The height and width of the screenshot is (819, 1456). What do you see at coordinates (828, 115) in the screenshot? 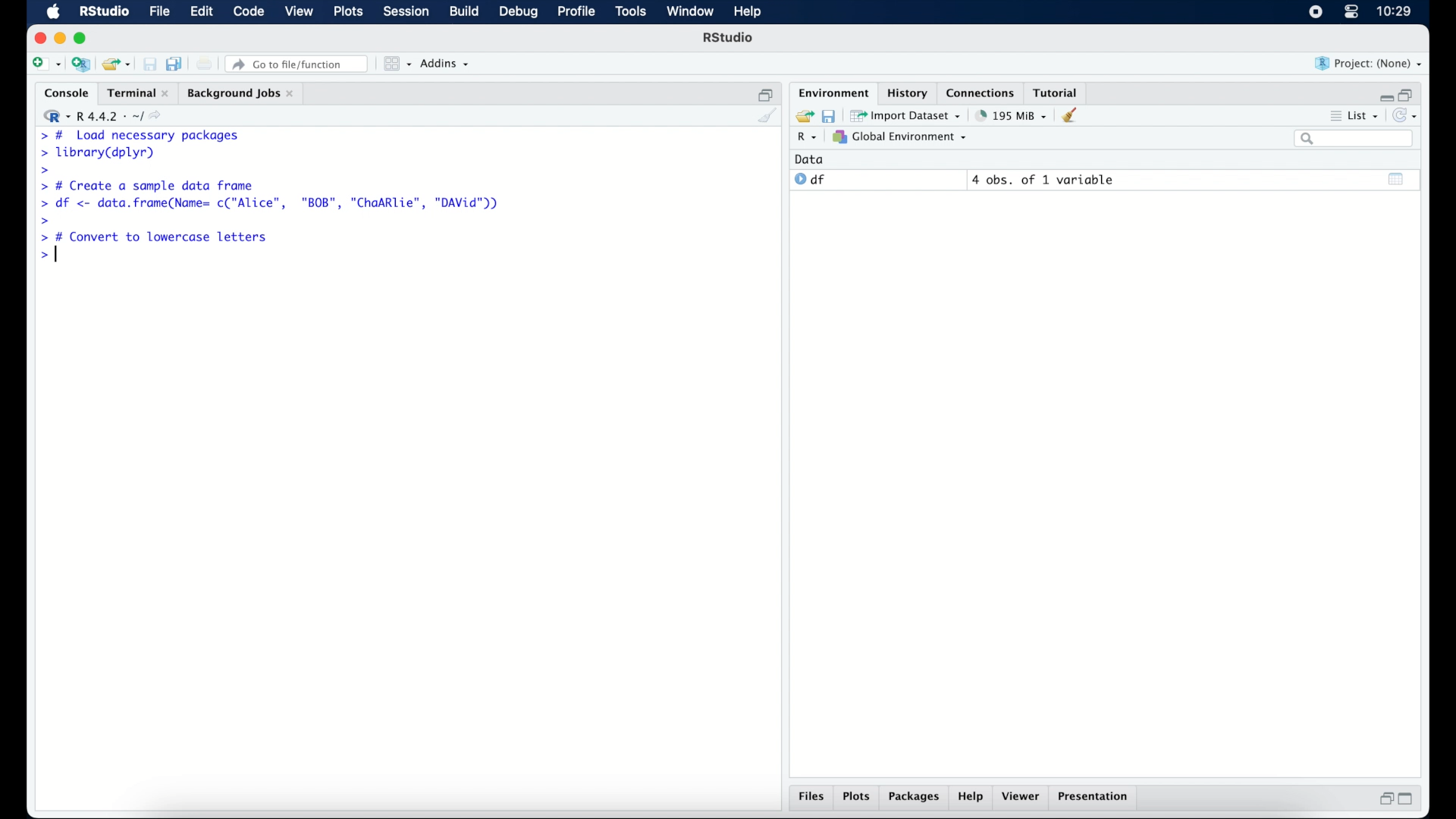
I see `save` at bounding box center [828, 115].